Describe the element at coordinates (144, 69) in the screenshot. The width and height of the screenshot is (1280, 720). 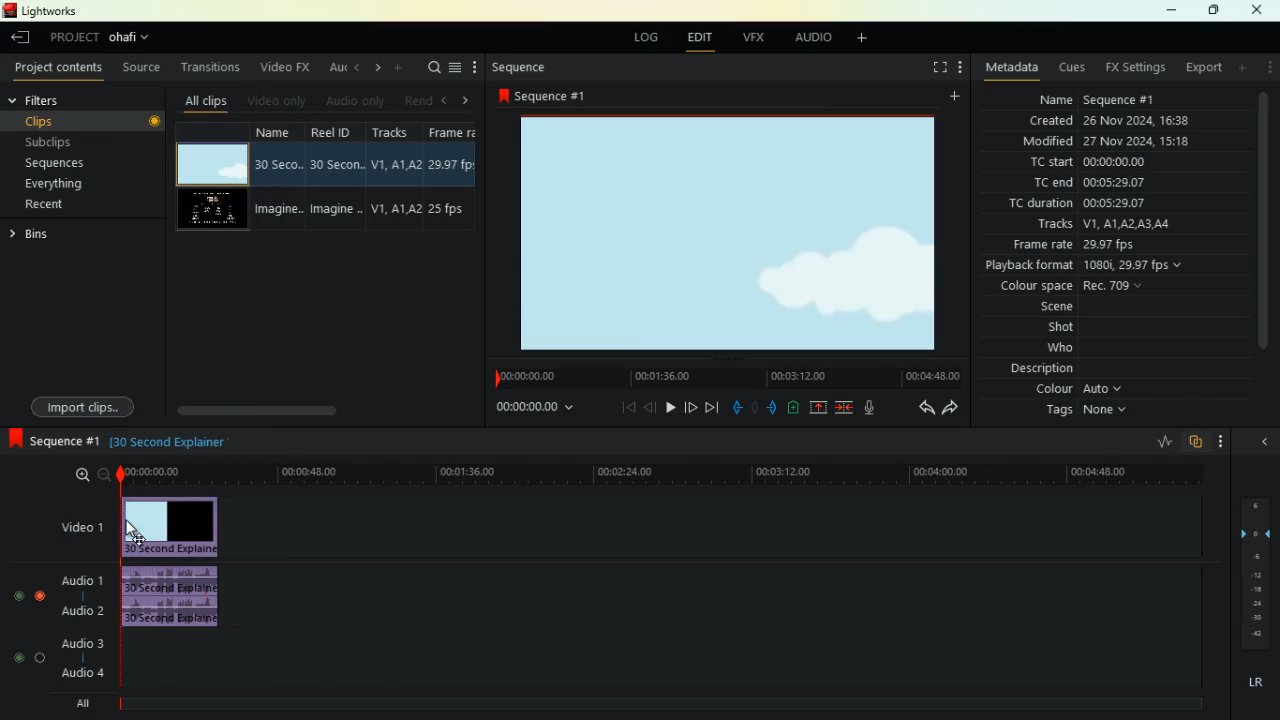
I see `source` at that location.